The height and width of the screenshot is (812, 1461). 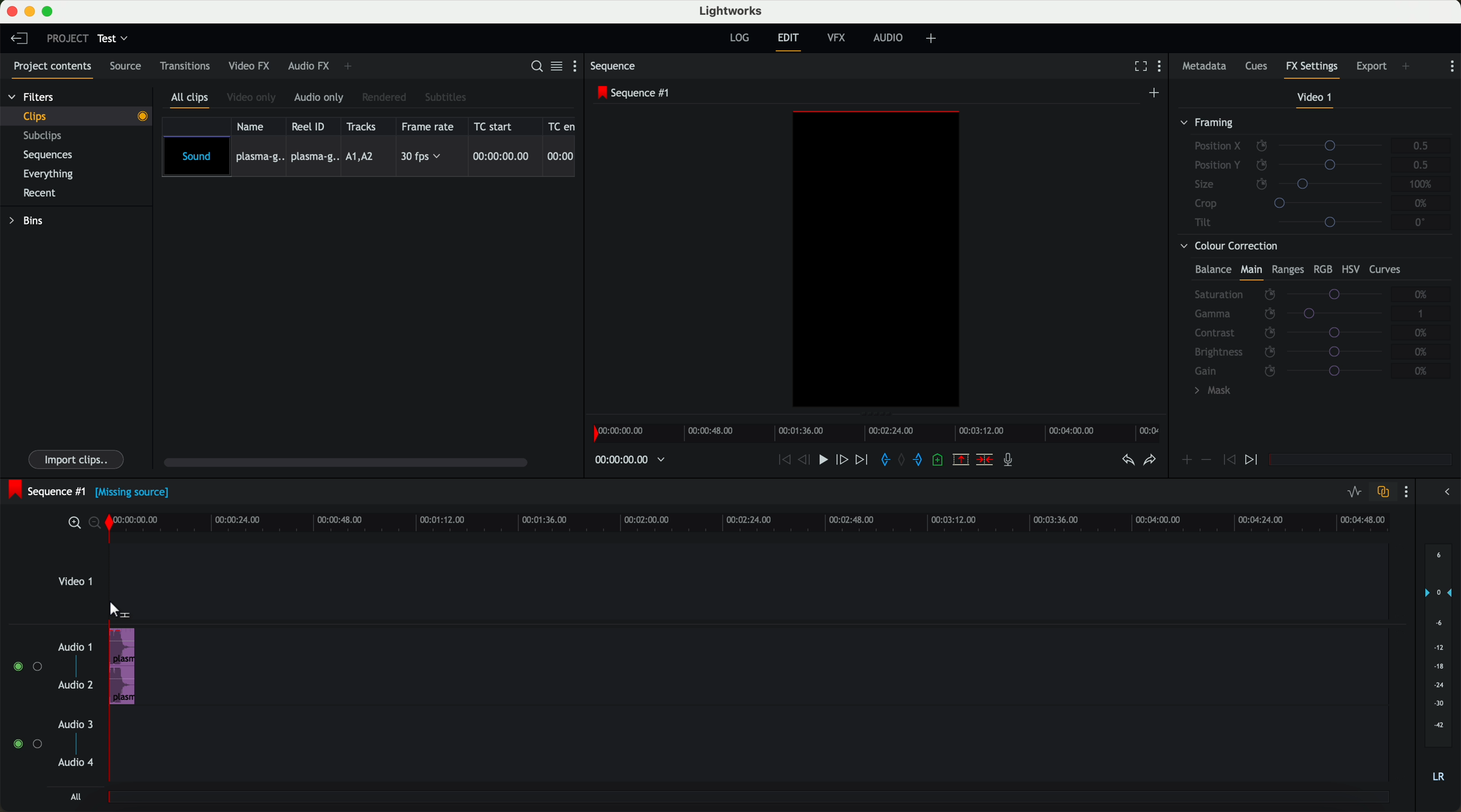 I want to click on name, so click(x=254, y=126).